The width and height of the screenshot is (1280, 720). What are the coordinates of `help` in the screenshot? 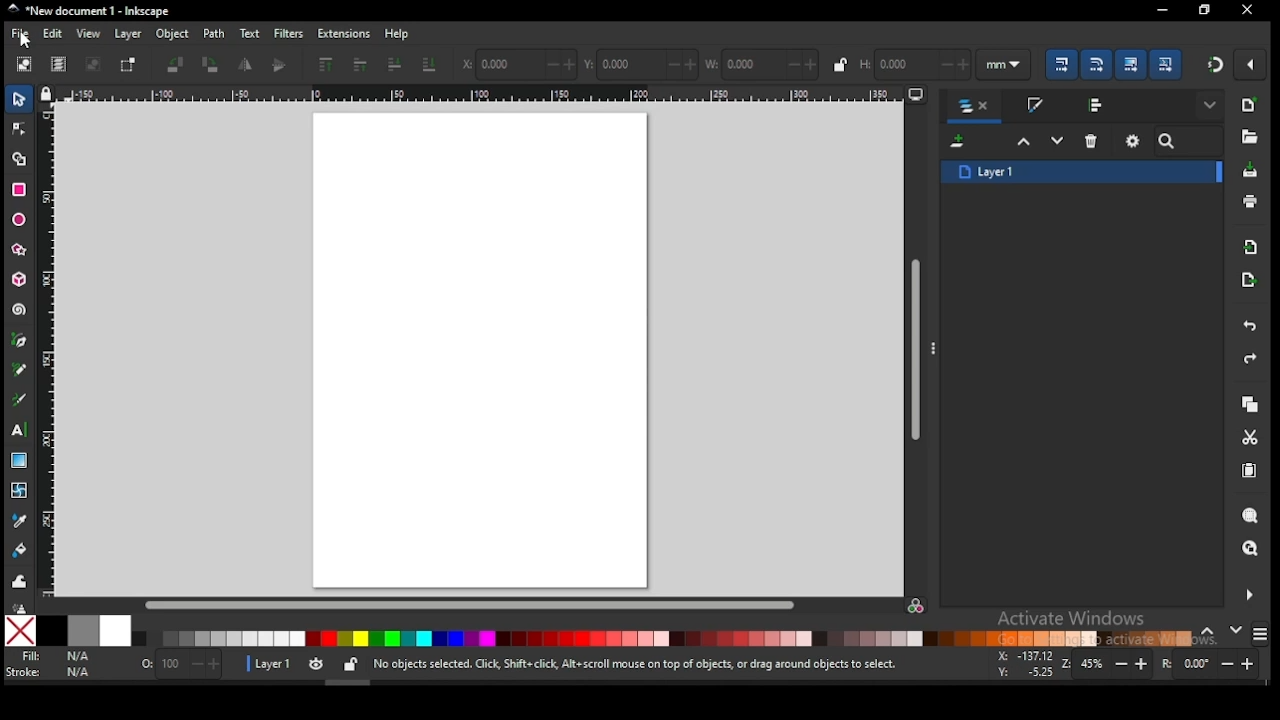 It's located at (400, 33).